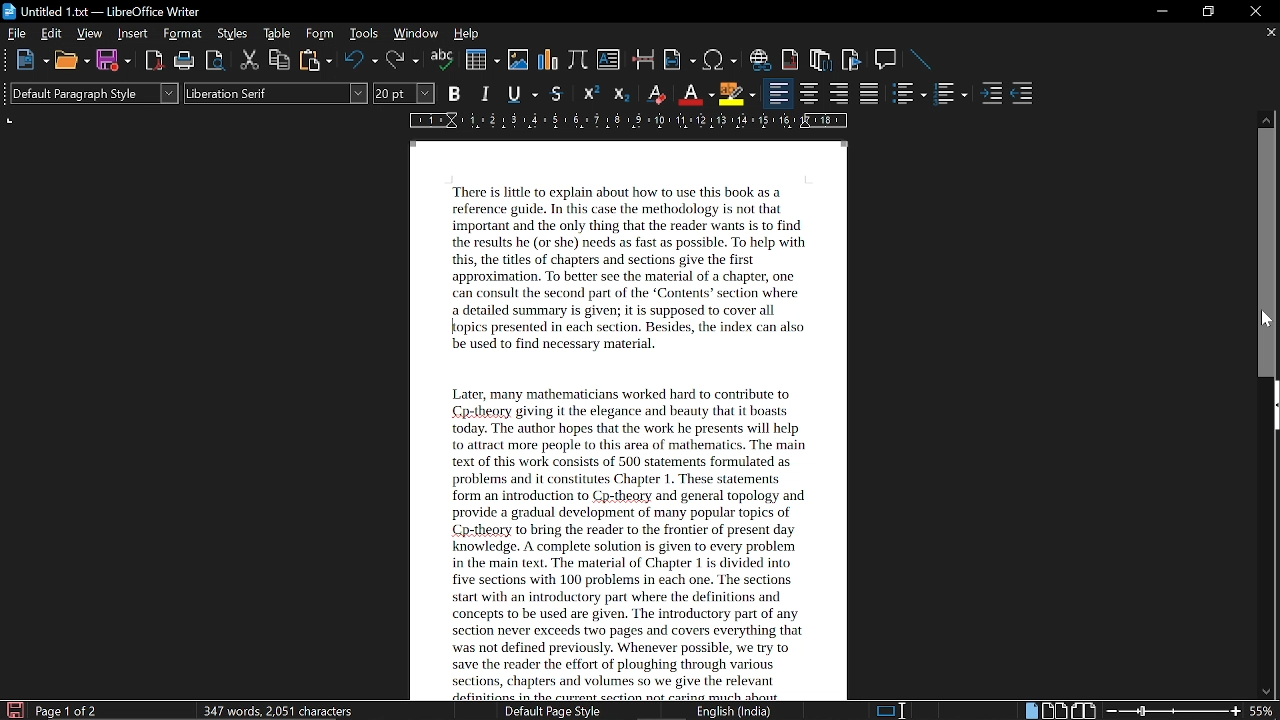  What do you see at coordinates (250, 60) in the screenshot?
I see `cut` at bounding box center [250, 60].